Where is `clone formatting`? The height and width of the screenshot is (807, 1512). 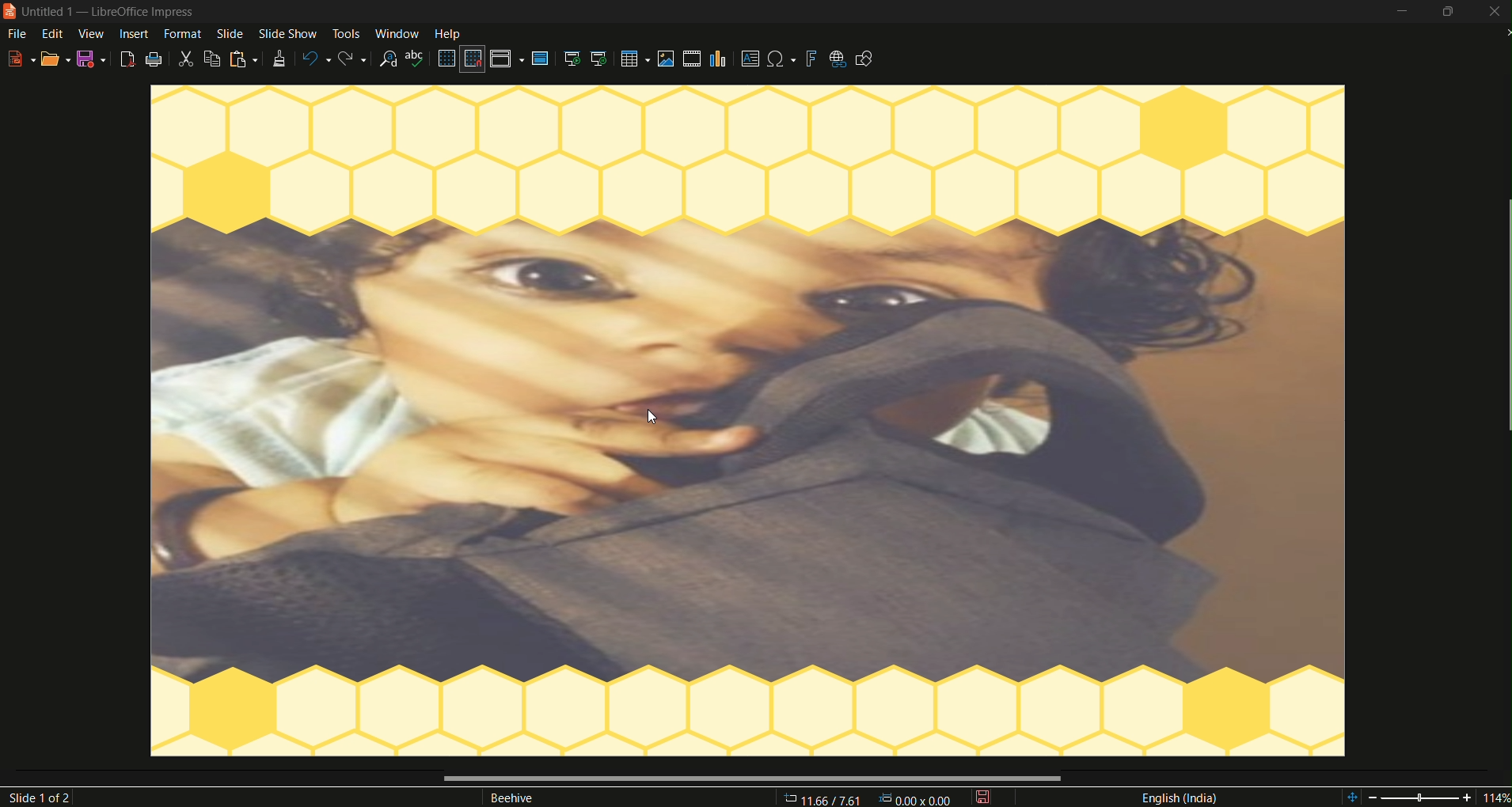 clone formatting is located at coordinates (277, 59).